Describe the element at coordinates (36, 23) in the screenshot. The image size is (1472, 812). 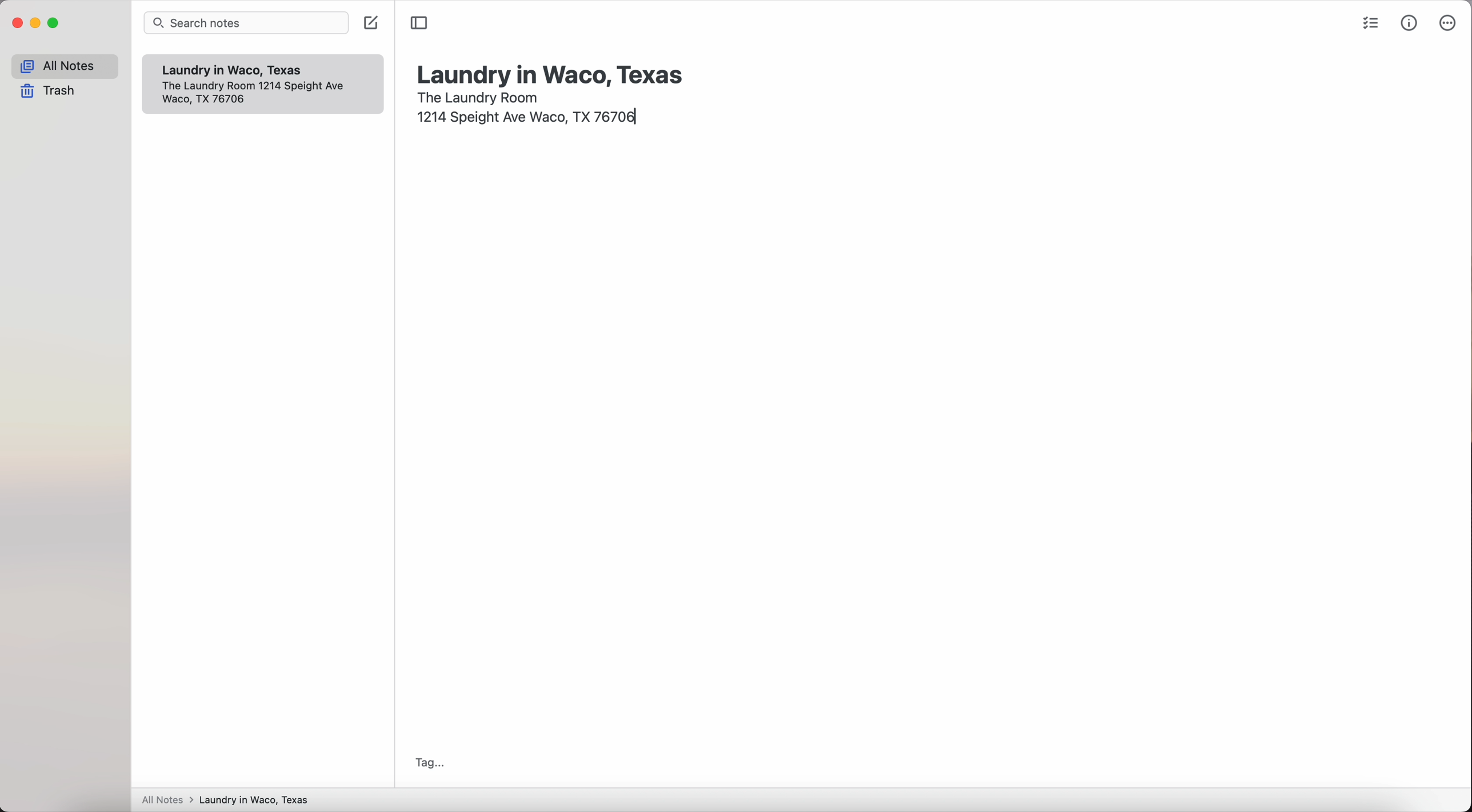
I see `minimize app` at that location.